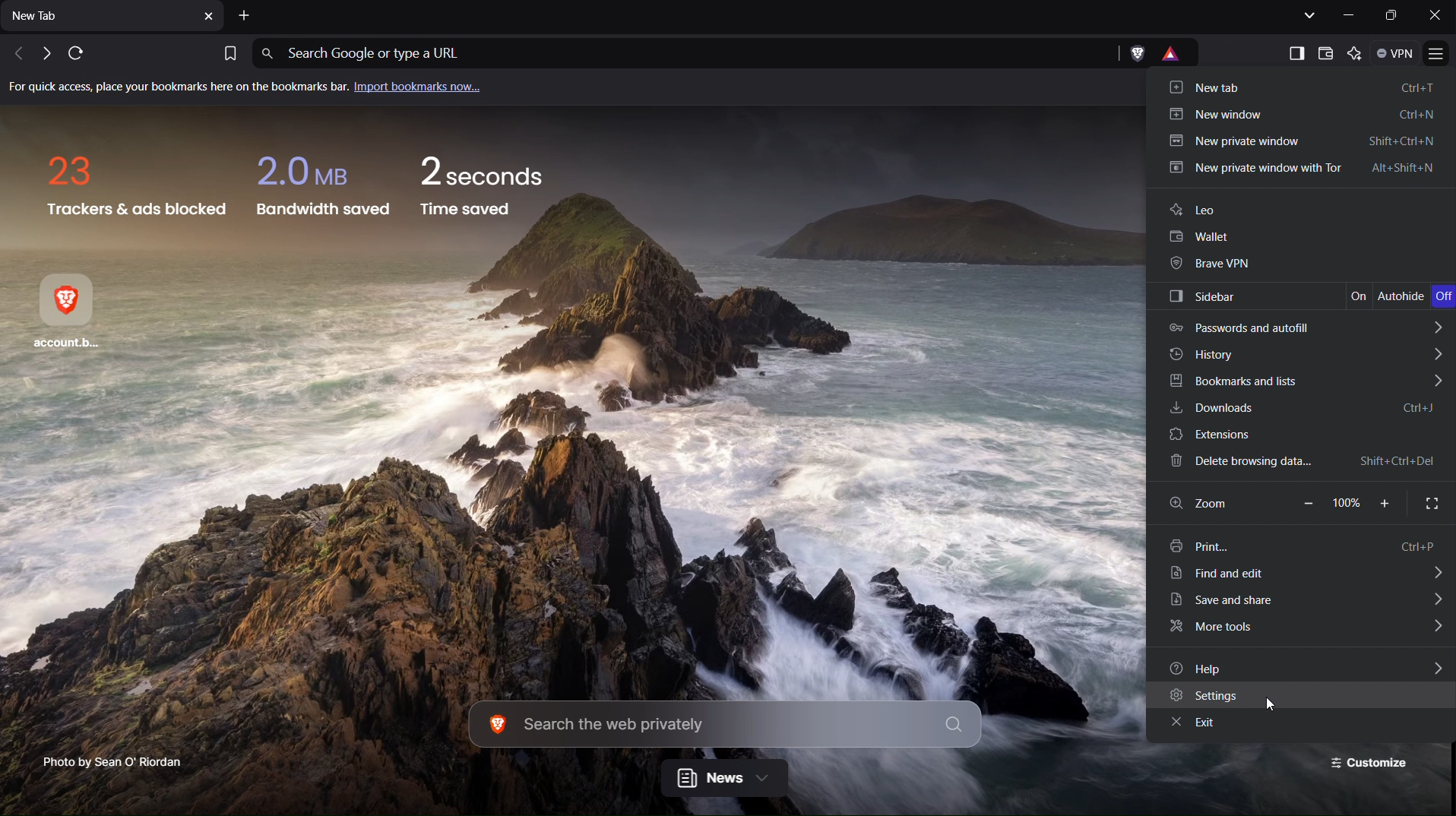 Image resolution: width=1456 pixels, height=816 pixels. Describe the element at coordinates (1427, 503) in the screenshot. I see `Fullscreen` at that location.